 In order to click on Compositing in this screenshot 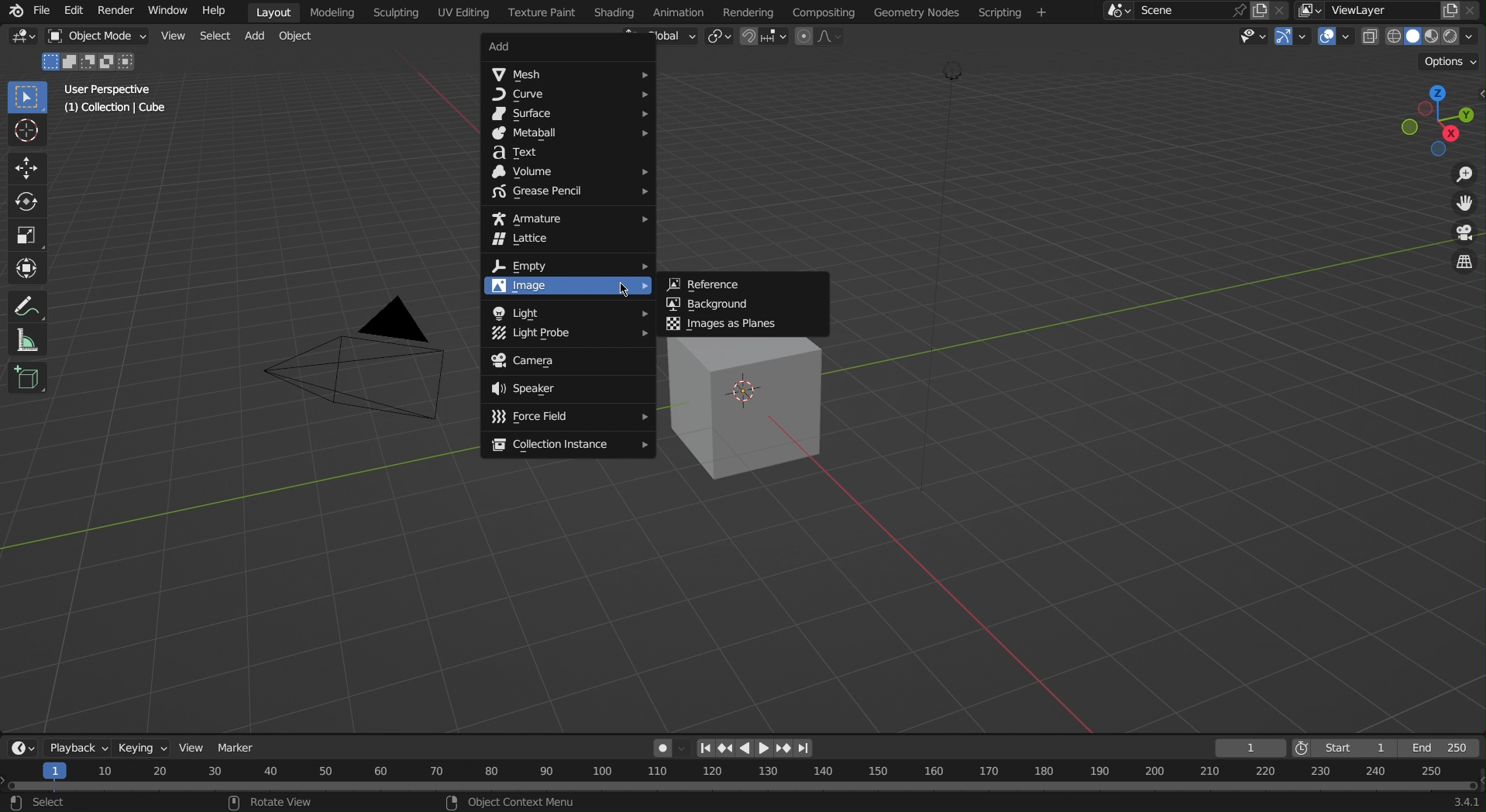, I will do `click(822, 11)`.